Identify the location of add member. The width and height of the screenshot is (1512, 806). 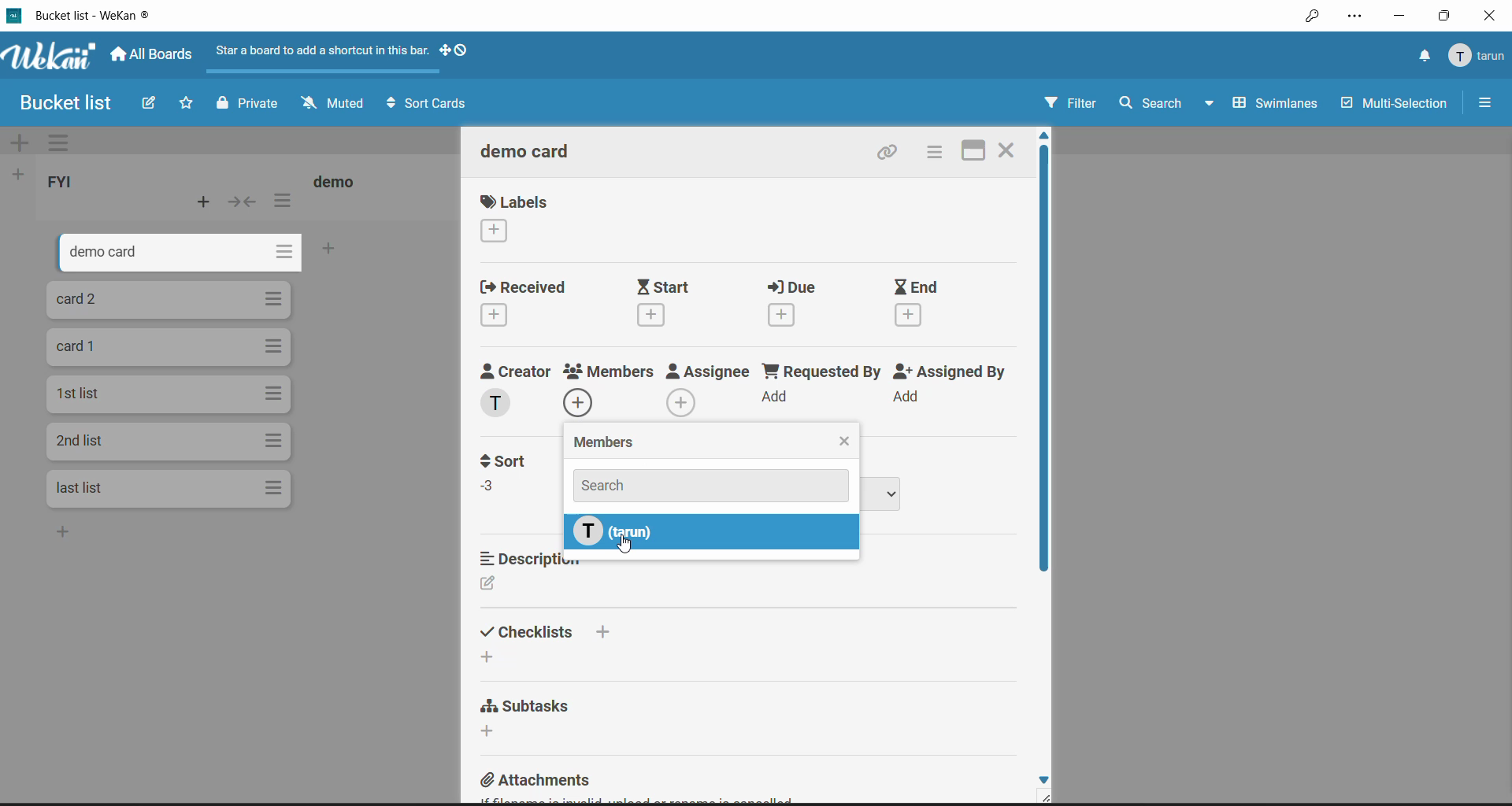
(682, 401).